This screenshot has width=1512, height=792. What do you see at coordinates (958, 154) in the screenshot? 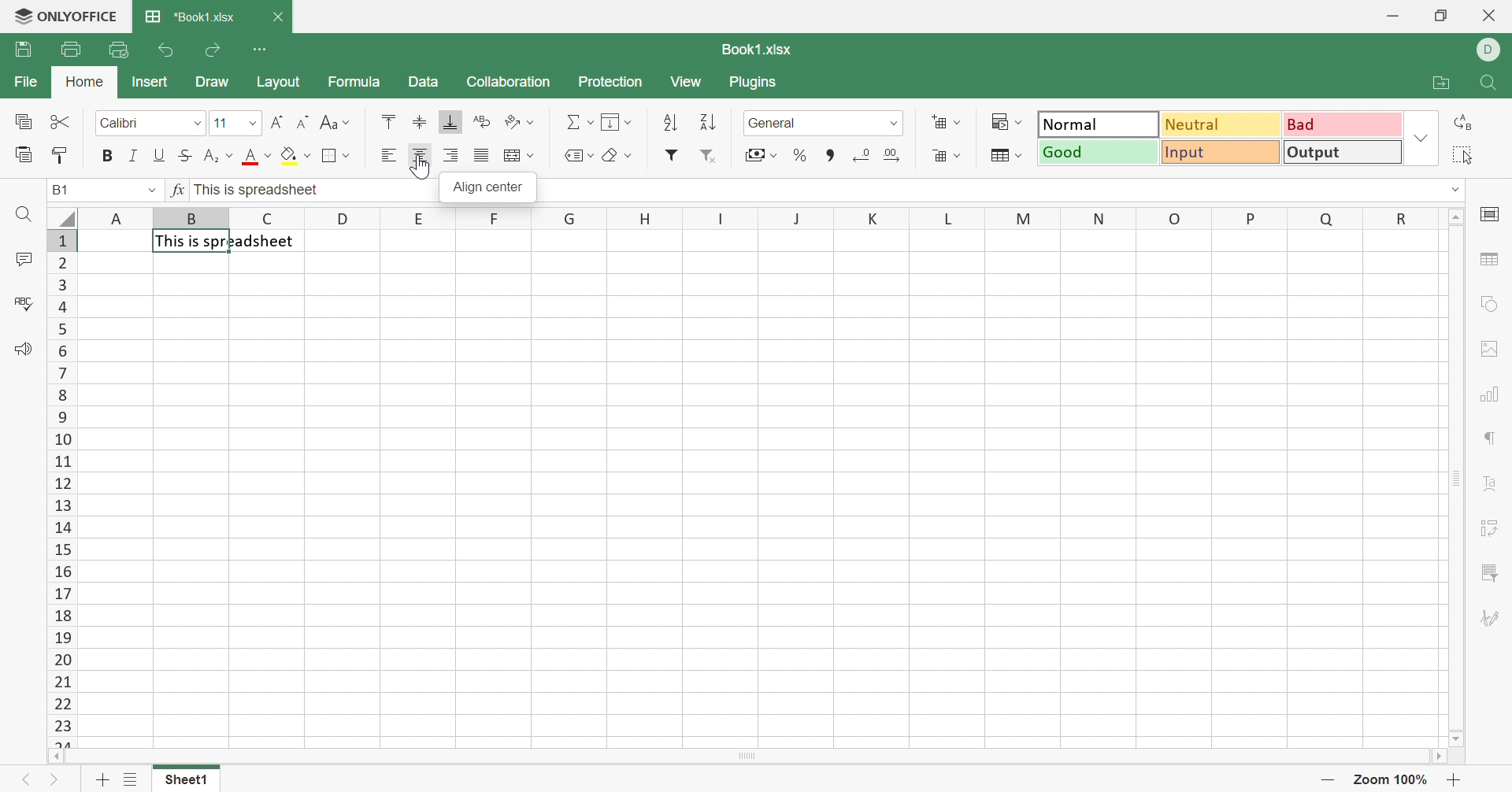
I see `Drop Down` at bounding box center [958, 154].